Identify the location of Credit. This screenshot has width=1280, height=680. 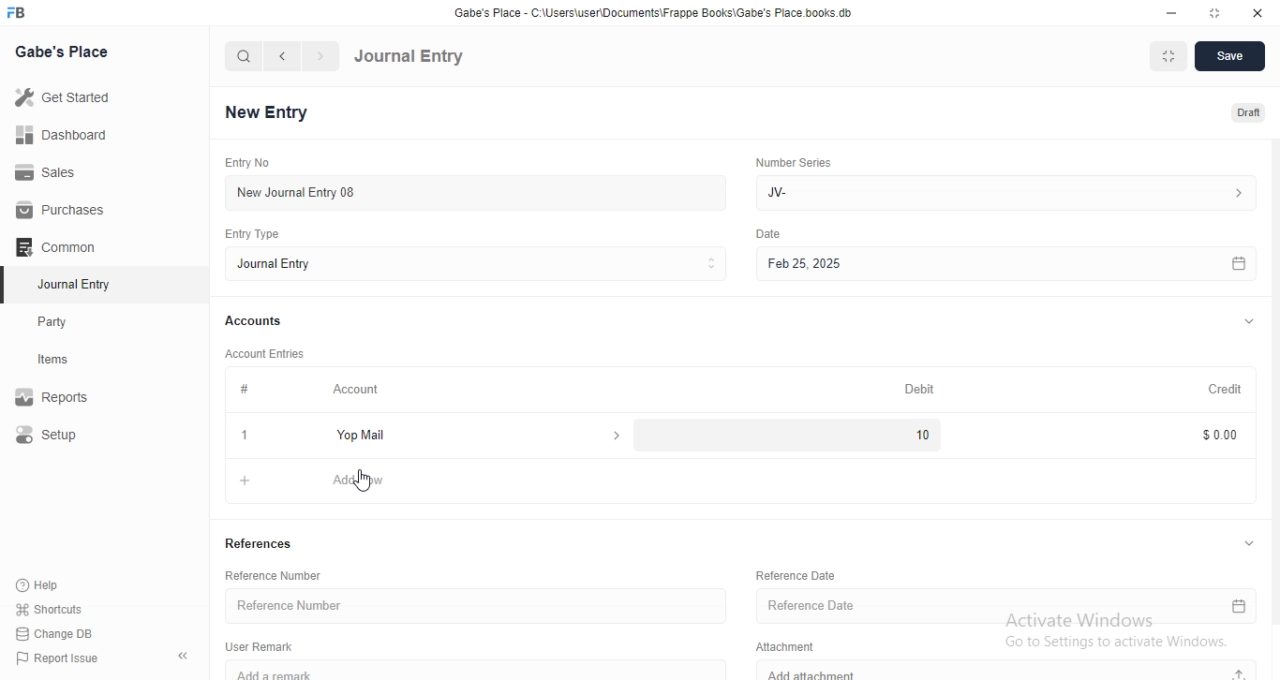
(1216, 389).